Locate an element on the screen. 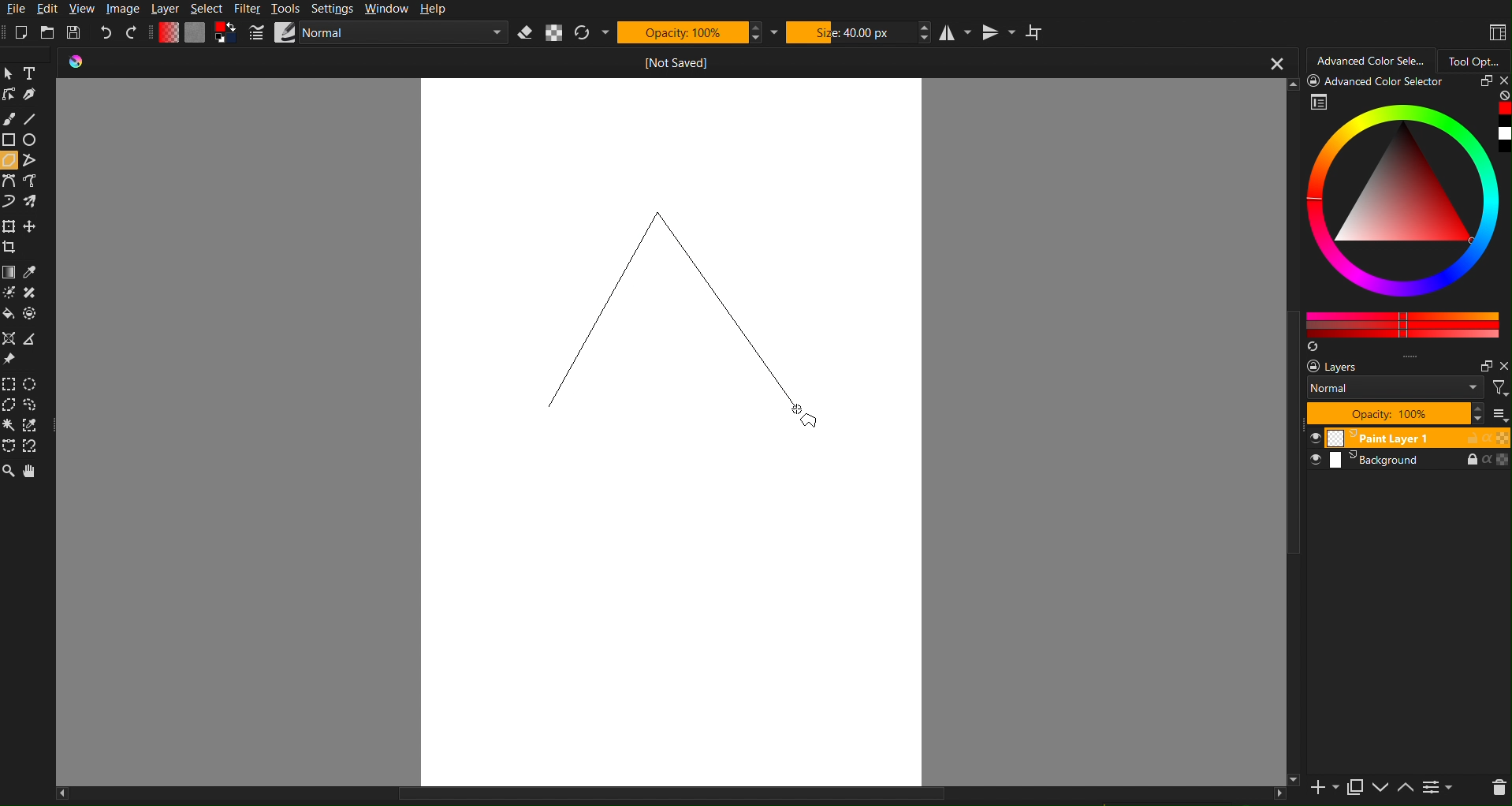 Image resolution: width=1512 pixels, height=806 pixels. restore panel is located at coordinates (1483, 83).